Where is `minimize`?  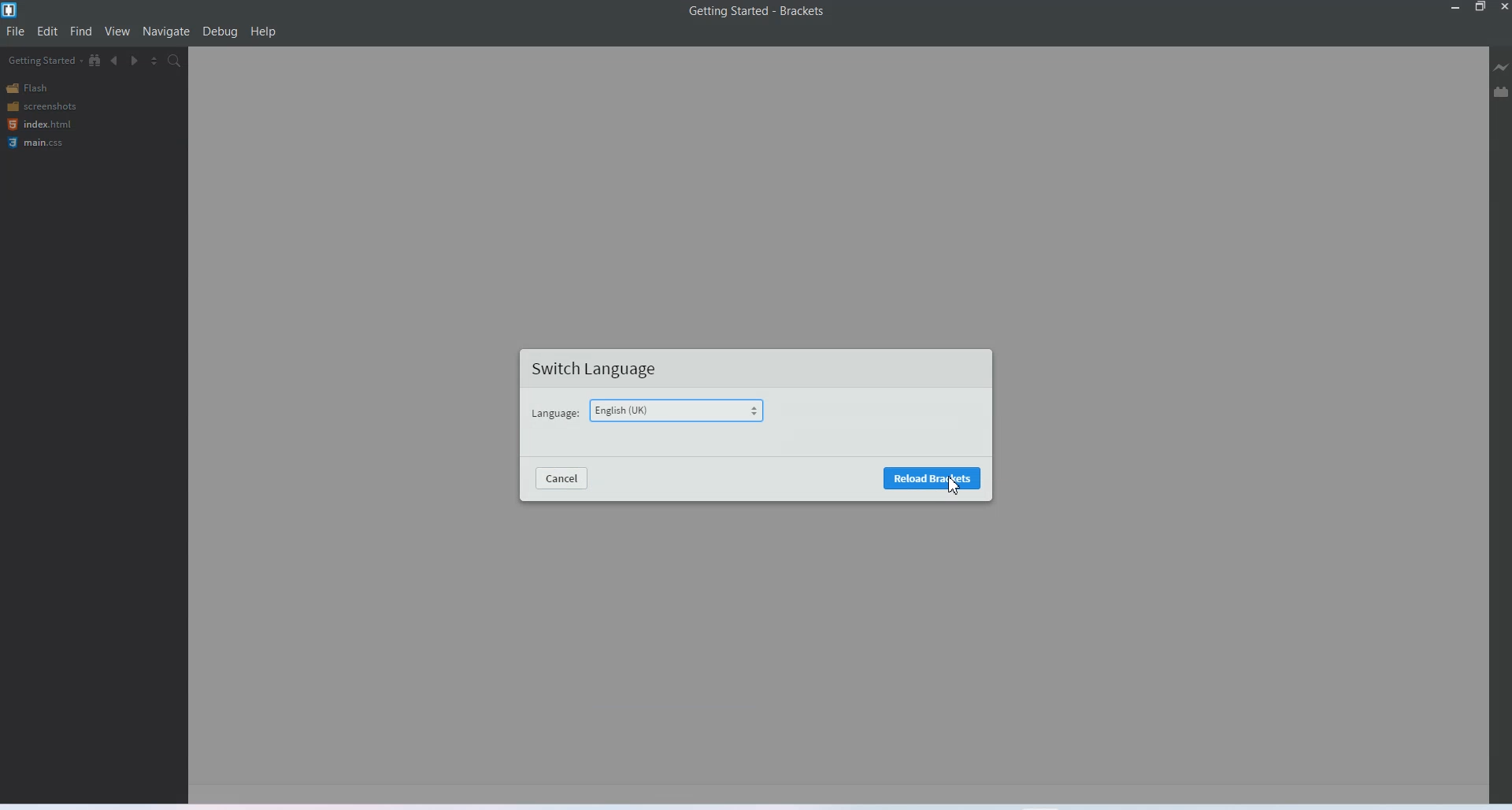
minimize is located at coordinates (1454, 8).